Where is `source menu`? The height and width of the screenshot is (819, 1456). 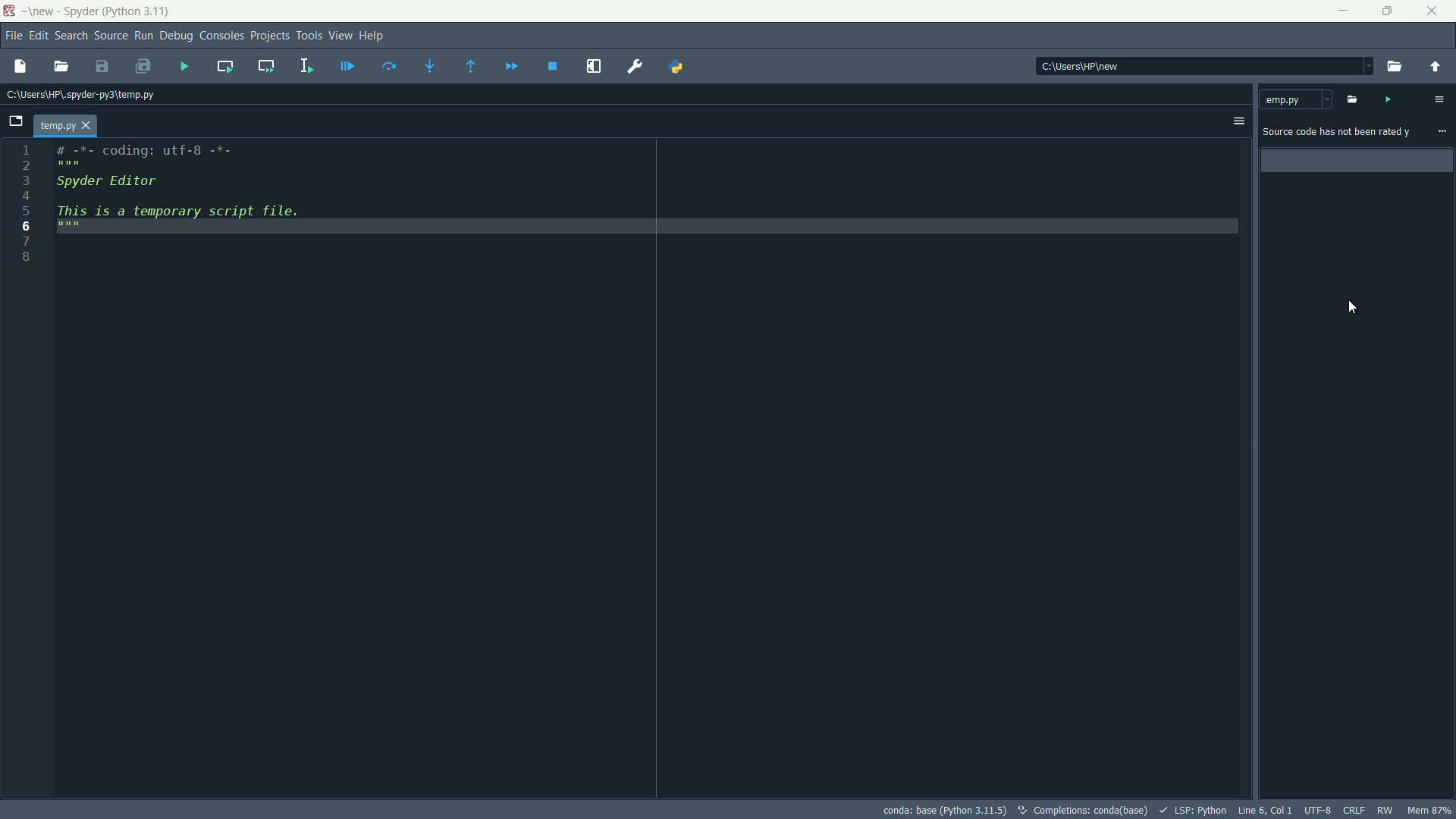 source menu is located at coordinates (110, 37).